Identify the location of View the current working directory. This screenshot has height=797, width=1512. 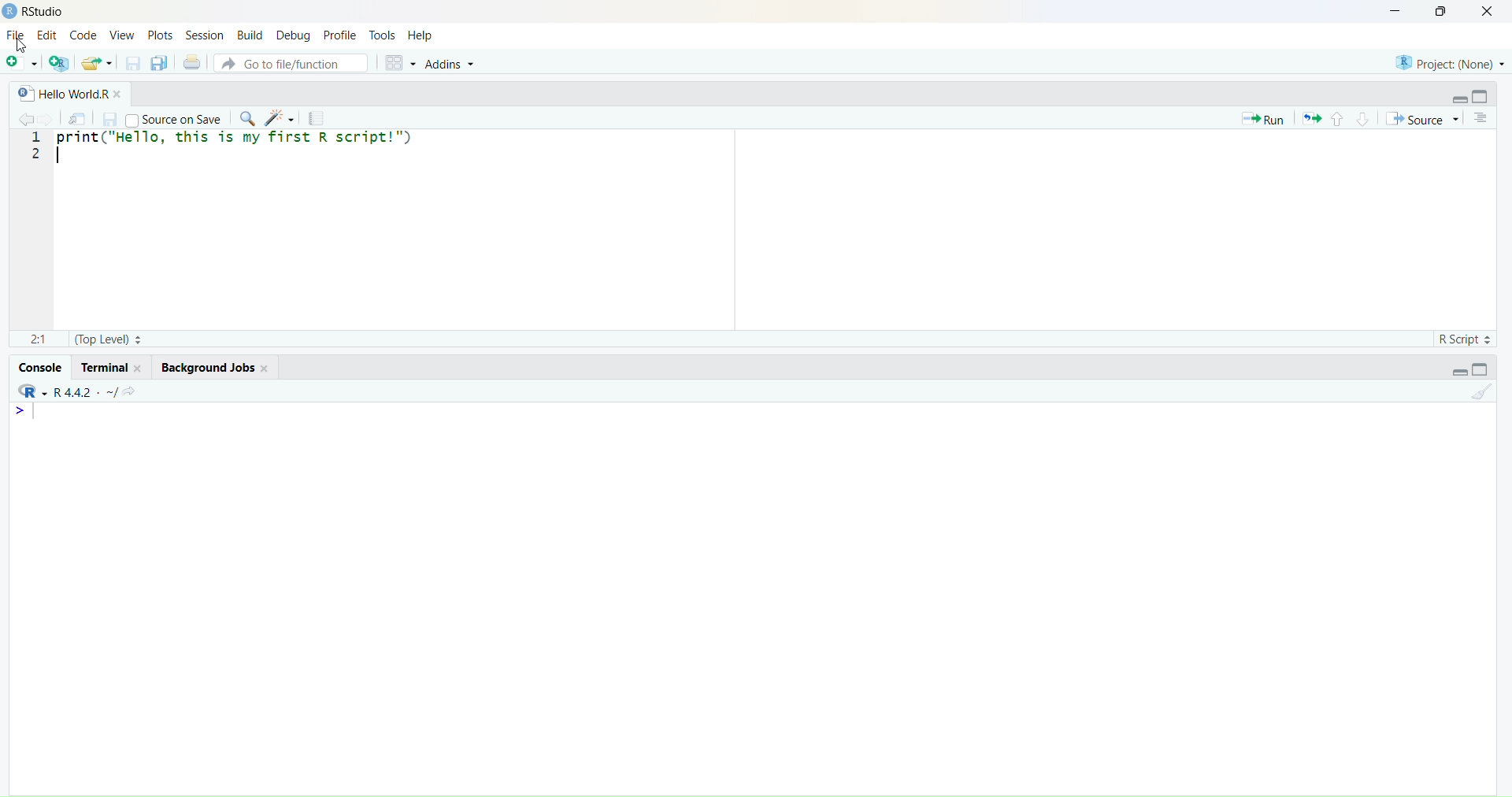
(134, 389).